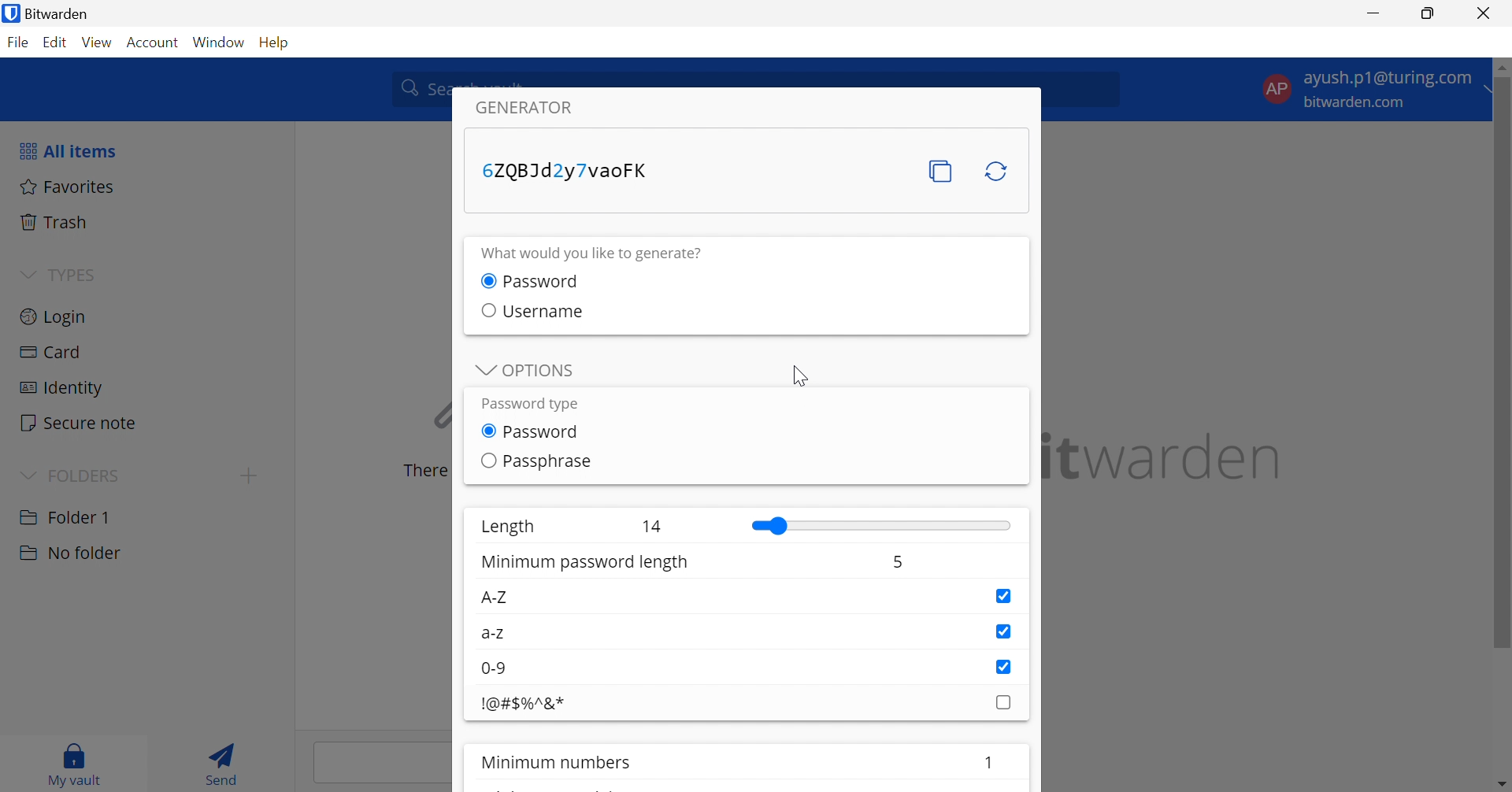 This screenshot has height=792, width=1512. What do you see at coordinates (541, 369) in the screenshot?
I see `` at bounding box center [541, 369].